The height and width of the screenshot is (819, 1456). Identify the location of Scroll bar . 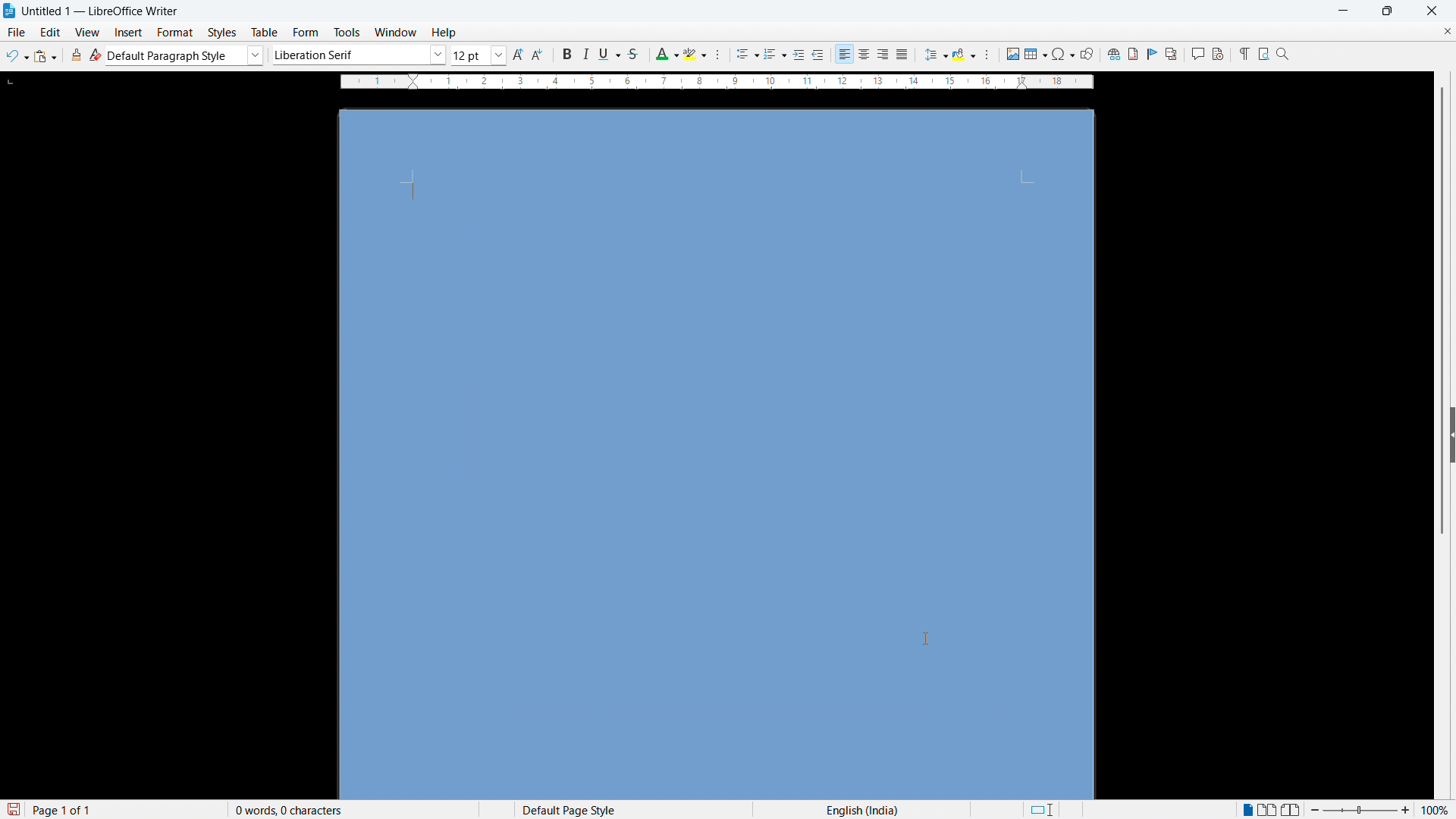
(1444, 312).